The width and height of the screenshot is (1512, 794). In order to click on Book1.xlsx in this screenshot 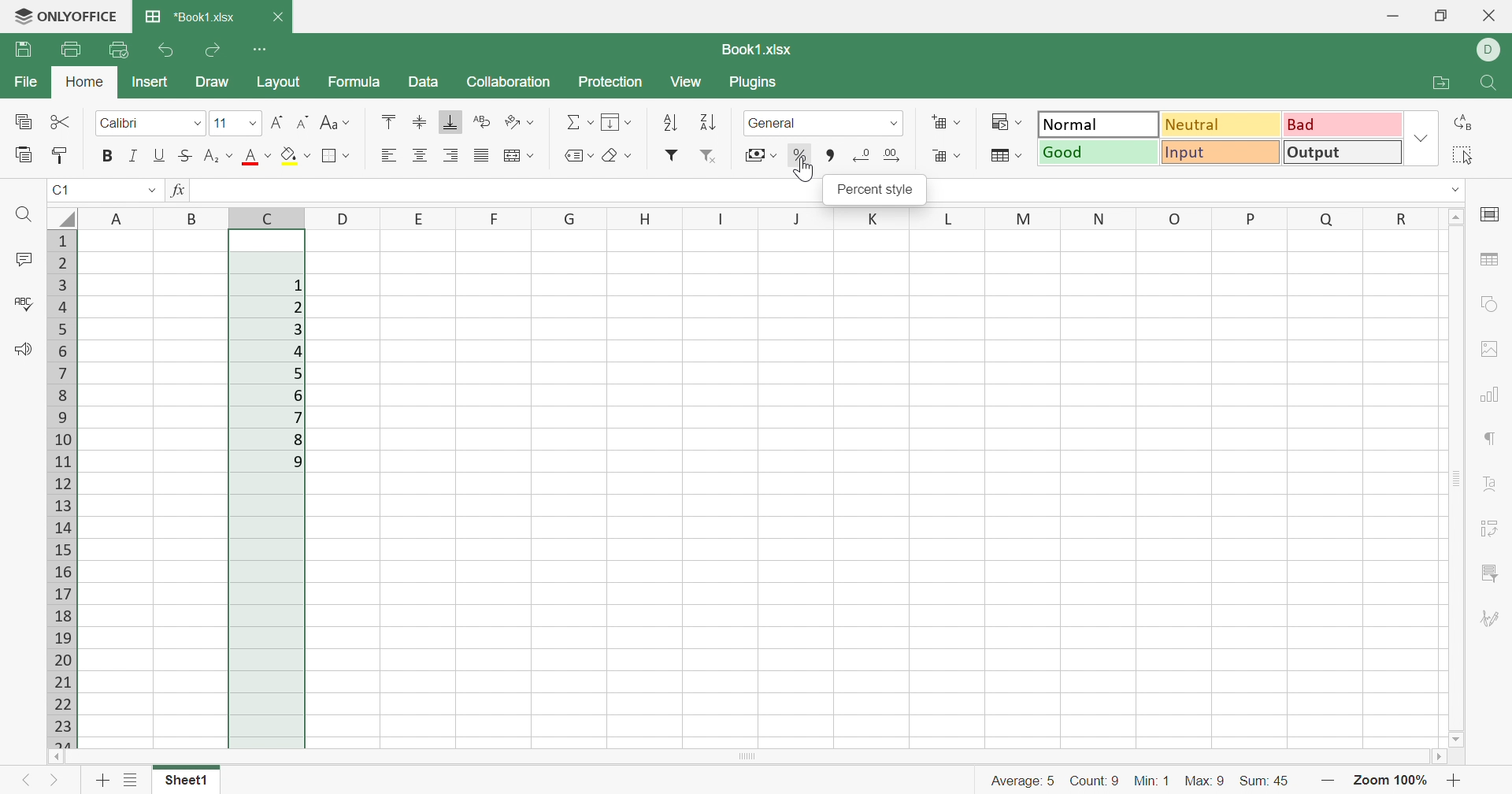, I will do `click(757, 50)`.